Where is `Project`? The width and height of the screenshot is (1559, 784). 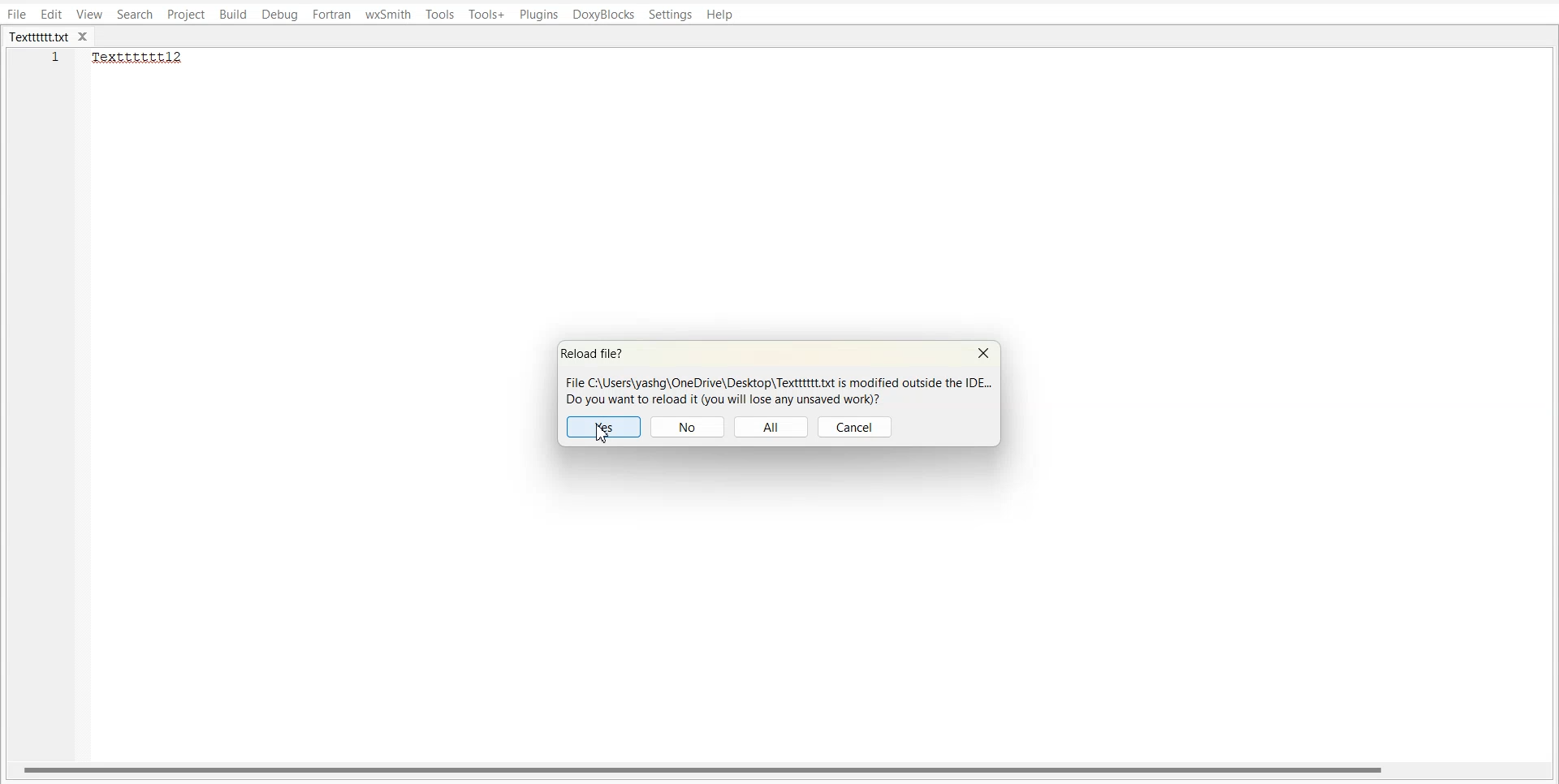 Project is located at coordinates (185, 15).